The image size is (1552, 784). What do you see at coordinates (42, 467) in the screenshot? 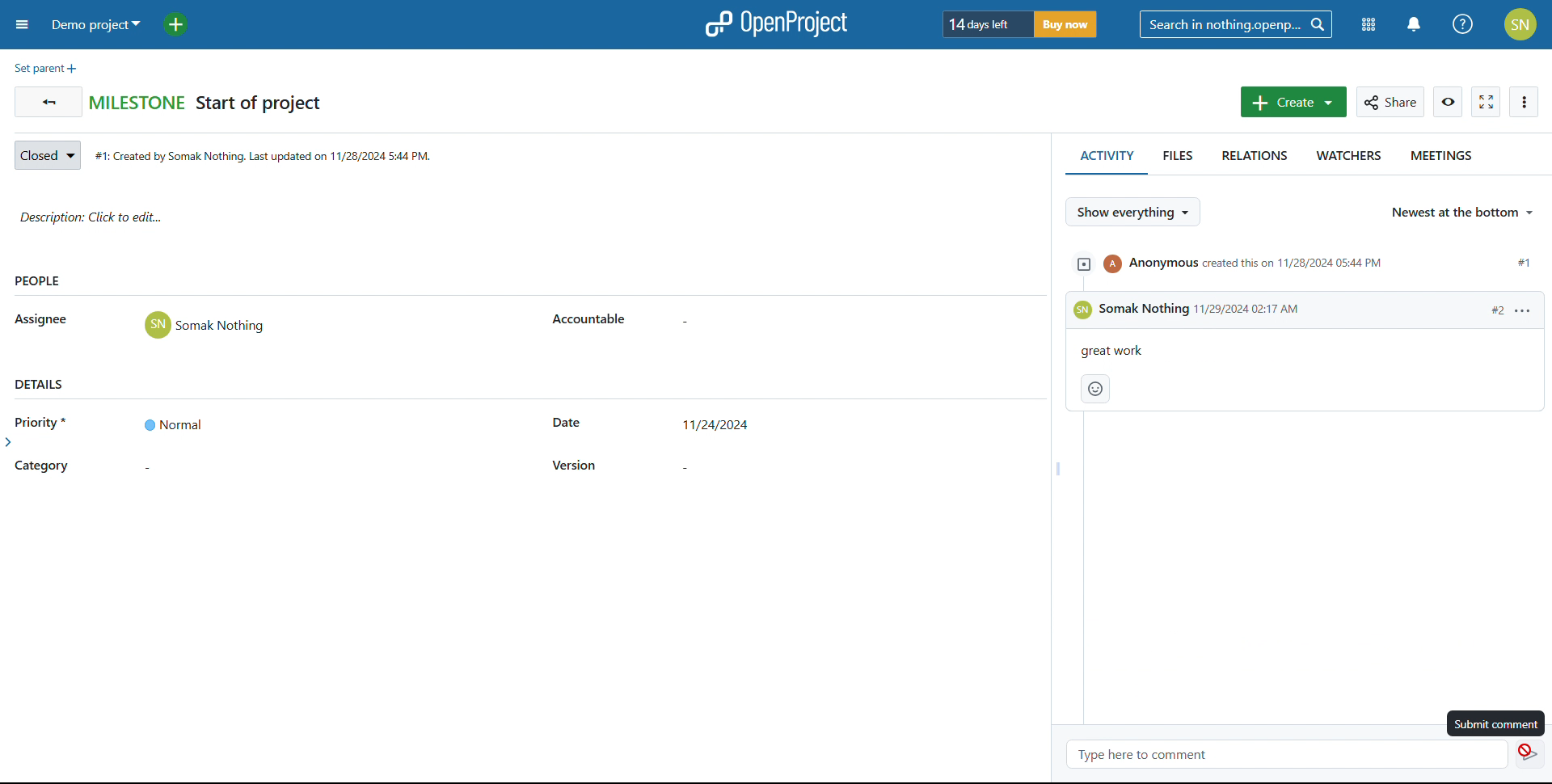
I see `category` at bounding box center [42, 467].